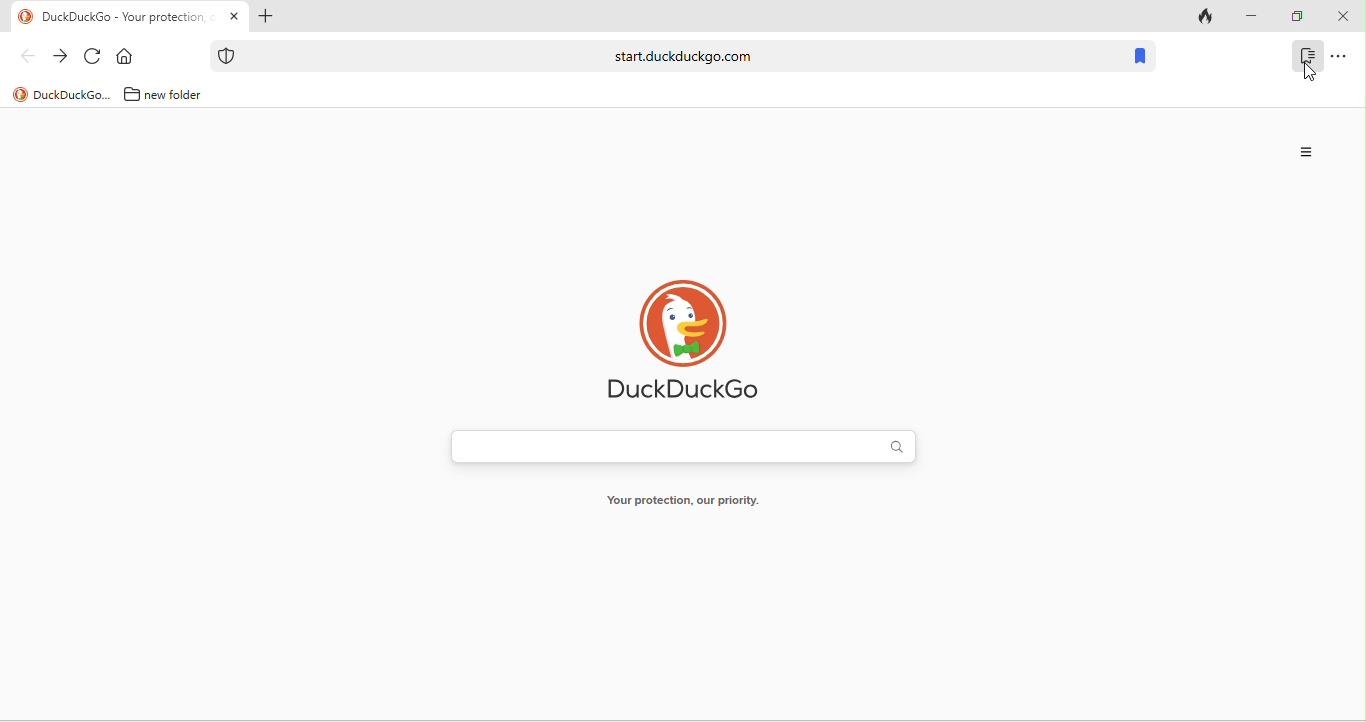 The image size is (1366, 722). I want to click on start.duckduckgo.com, so click(683, 55).